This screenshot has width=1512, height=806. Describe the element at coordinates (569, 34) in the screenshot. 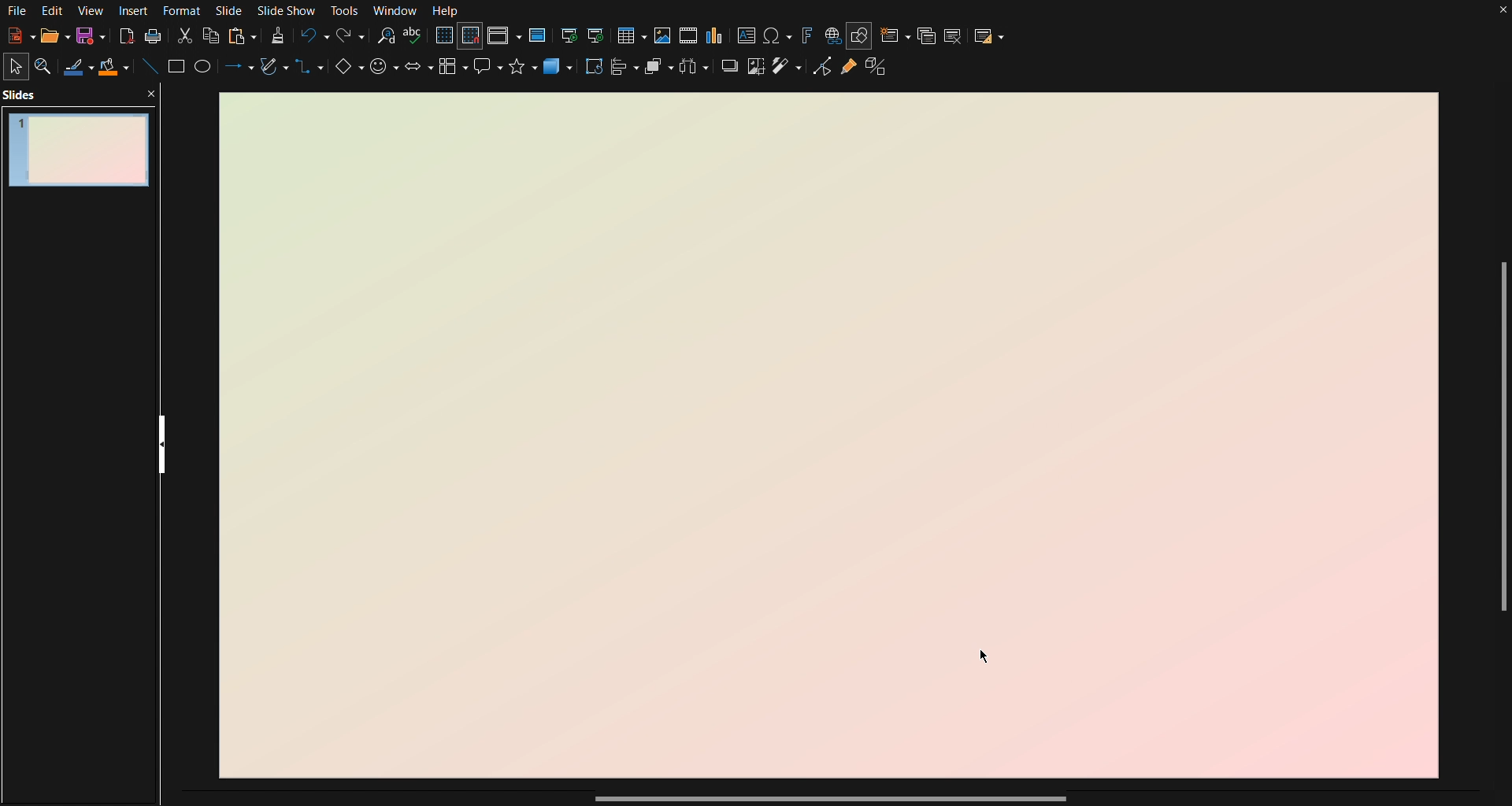

I see `Start from First Slide` at that location.